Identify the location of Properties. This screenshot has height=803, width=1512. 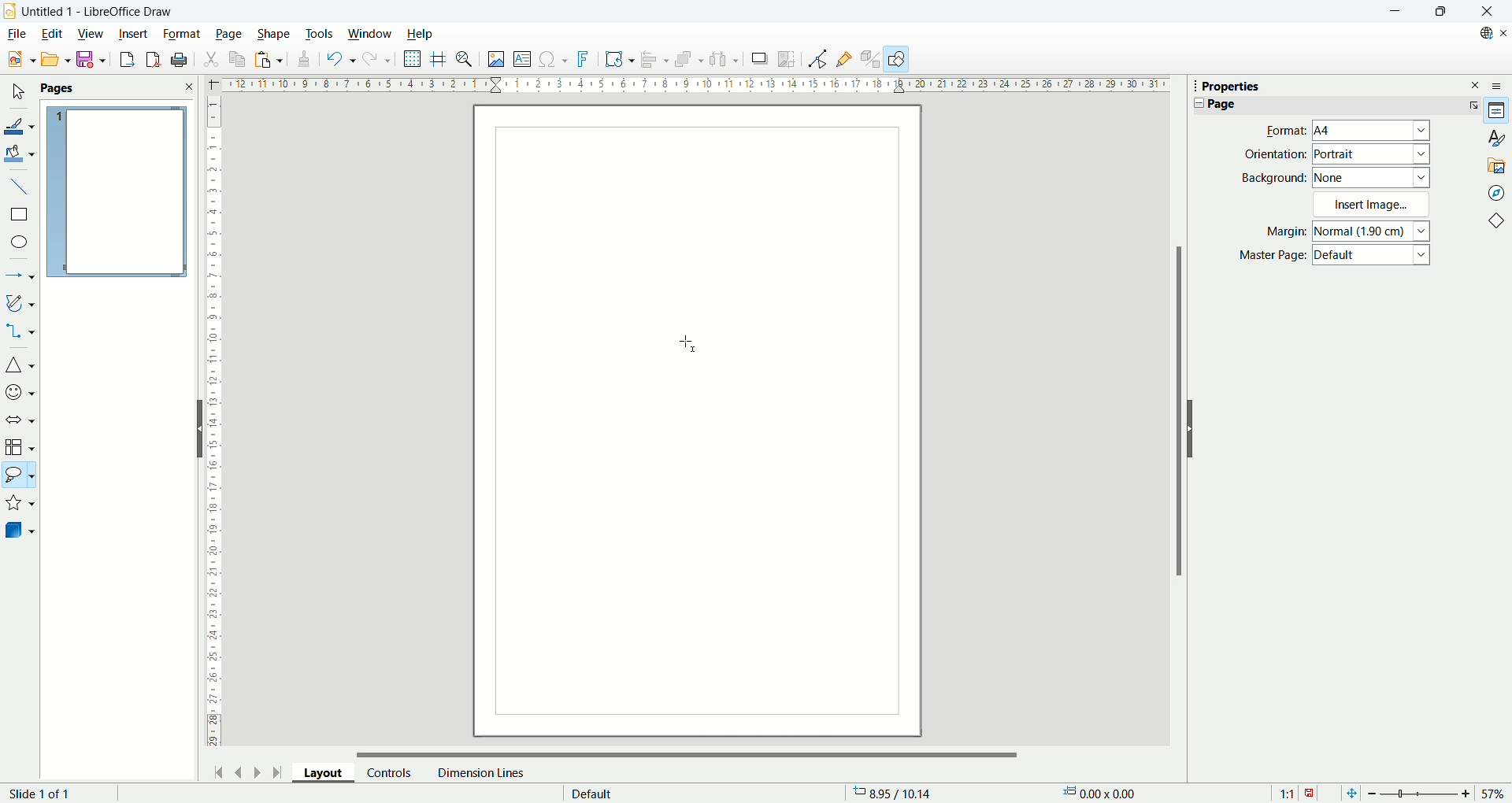
(1497, 111).